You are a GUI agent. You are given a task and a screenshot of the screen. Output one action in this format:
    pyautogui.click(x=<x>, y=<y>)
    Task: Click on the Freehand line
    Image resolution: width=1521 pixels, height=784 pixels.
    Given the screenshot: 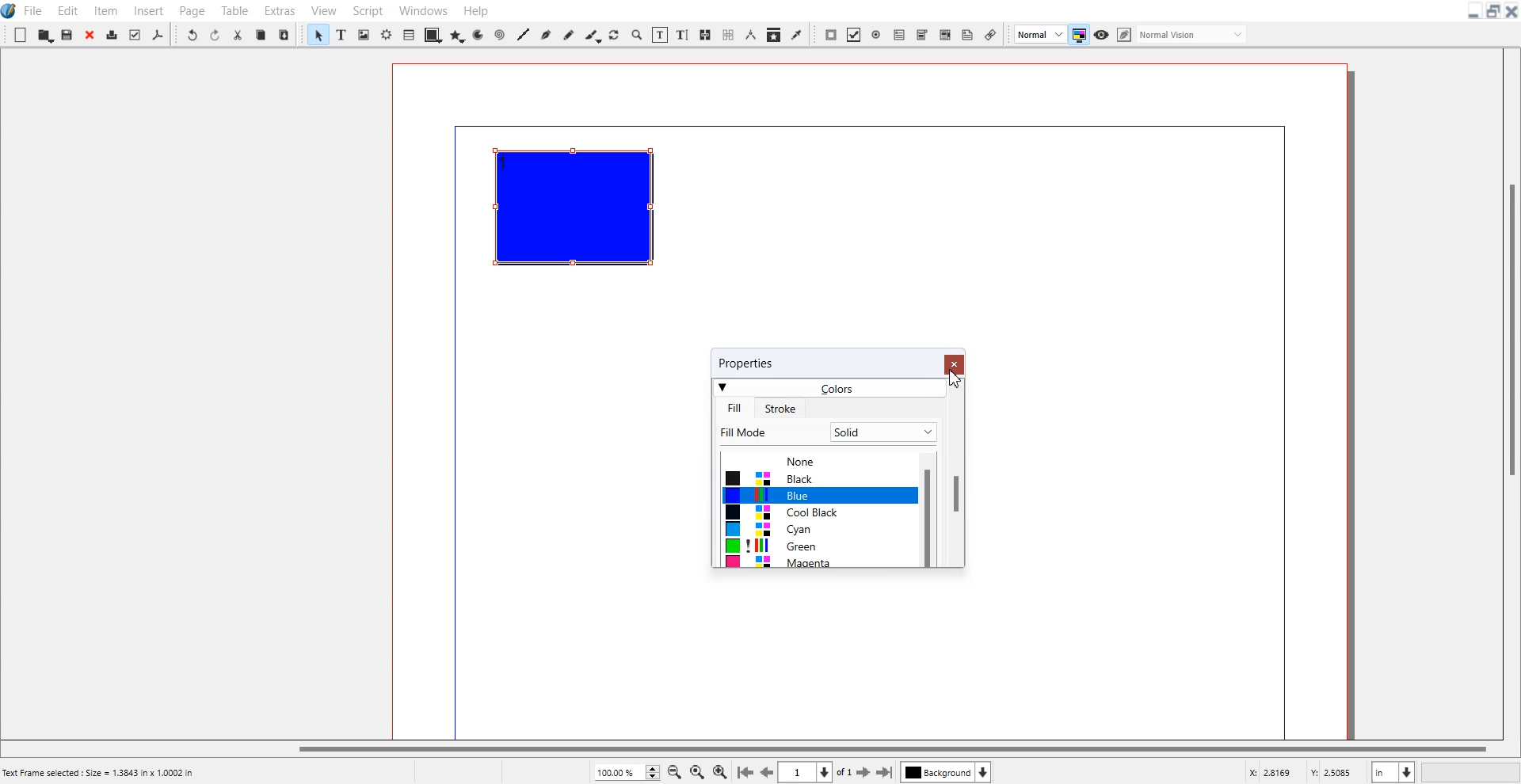 What is the action you would take?
    pyautogui.click(x=568, y=34)
    